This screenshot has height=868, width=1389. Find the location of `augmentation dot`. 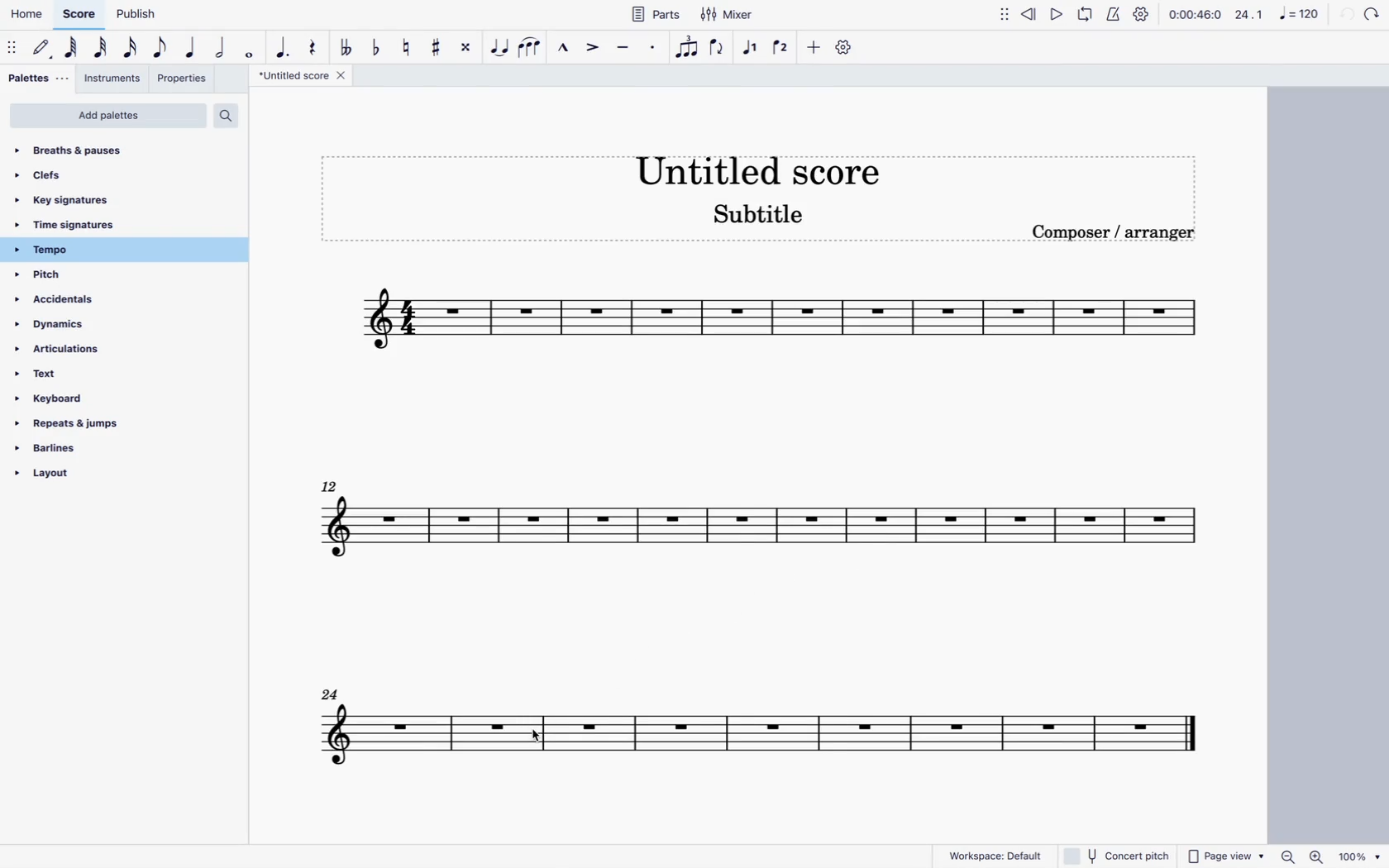

augmentation dot is located at coordinates (283, 48).